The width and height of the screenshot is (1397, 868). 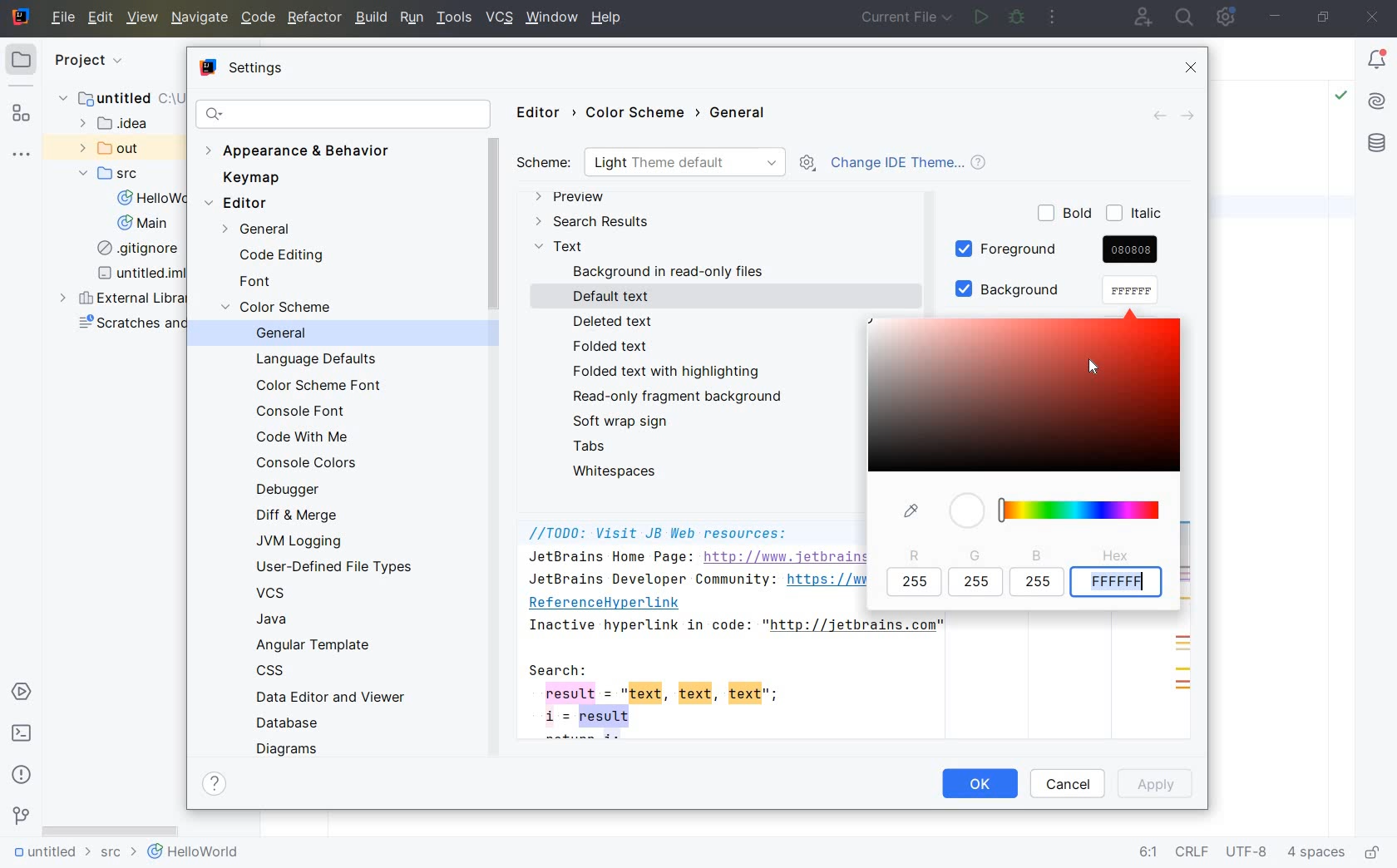 I want to click on CANCEL, so click(x=1069, y=784).